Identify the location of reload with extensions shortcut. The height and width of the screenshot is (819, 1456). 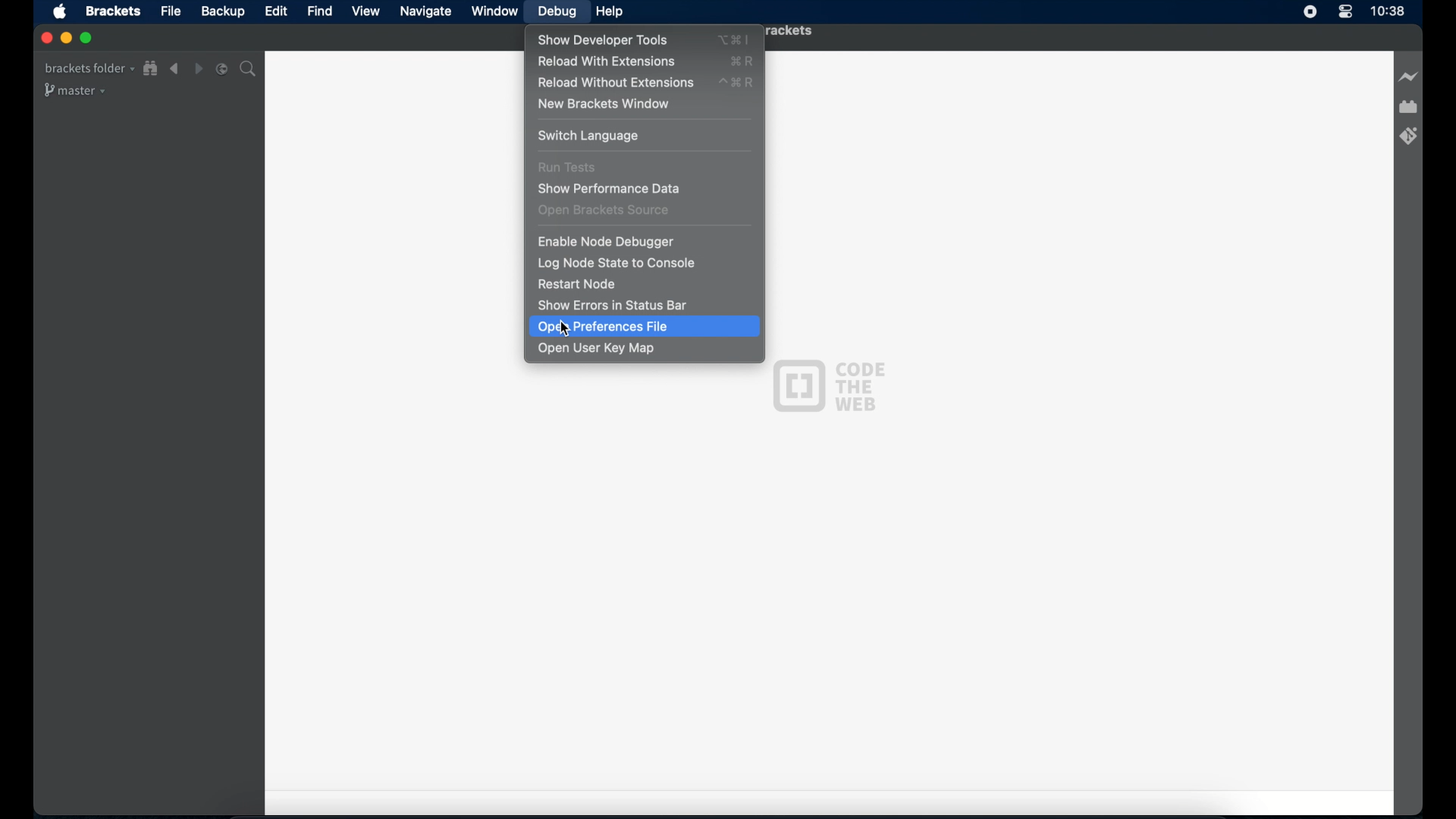
(742, 61).